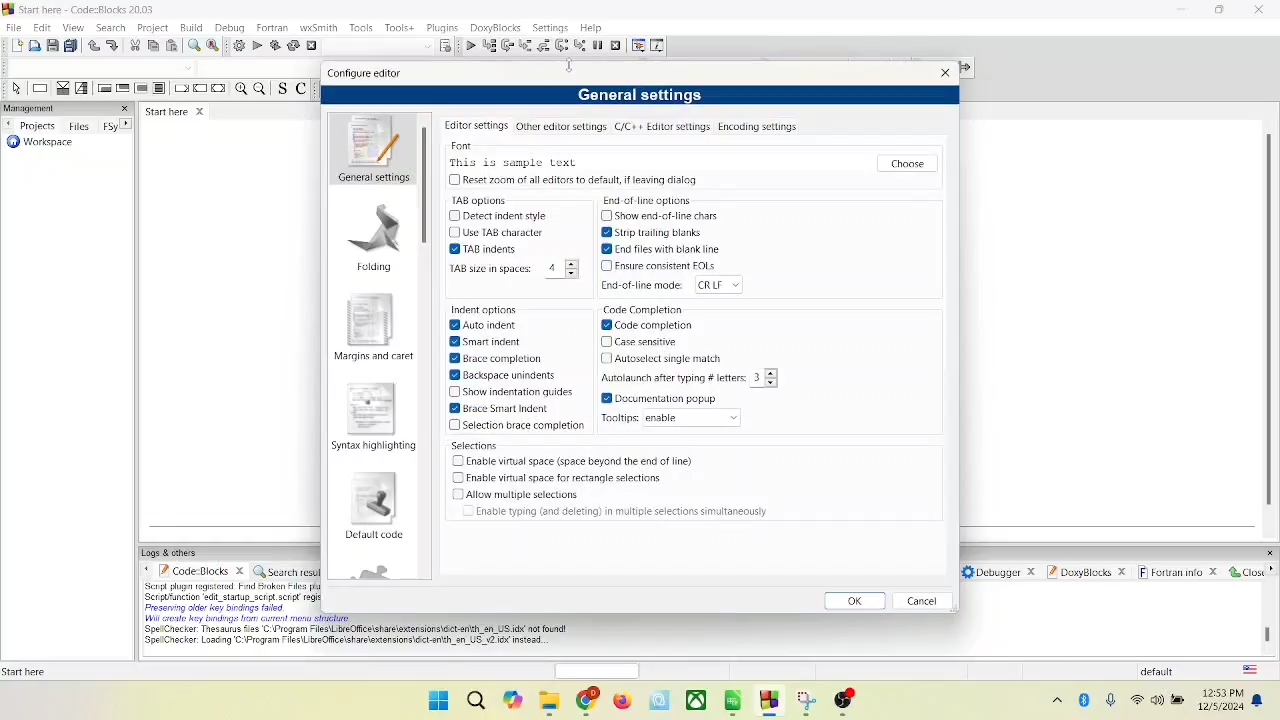 Image resolution: width=1280 pixels, height=720 pixels. Describe the element at coordinates (110, 27) in the screenshot. I see `search` at that location.